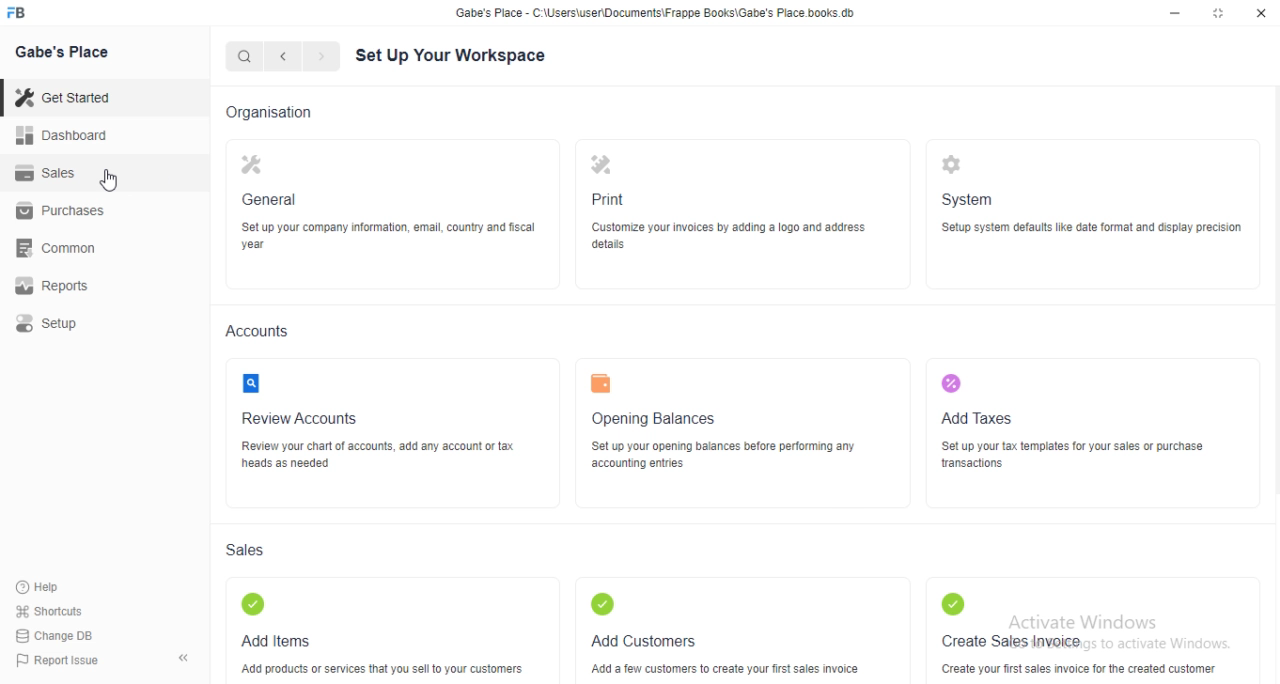  What do you see at coordinates (277, 641) in the screenshot?
I see `Add Items` at bounding box center [277, 641].